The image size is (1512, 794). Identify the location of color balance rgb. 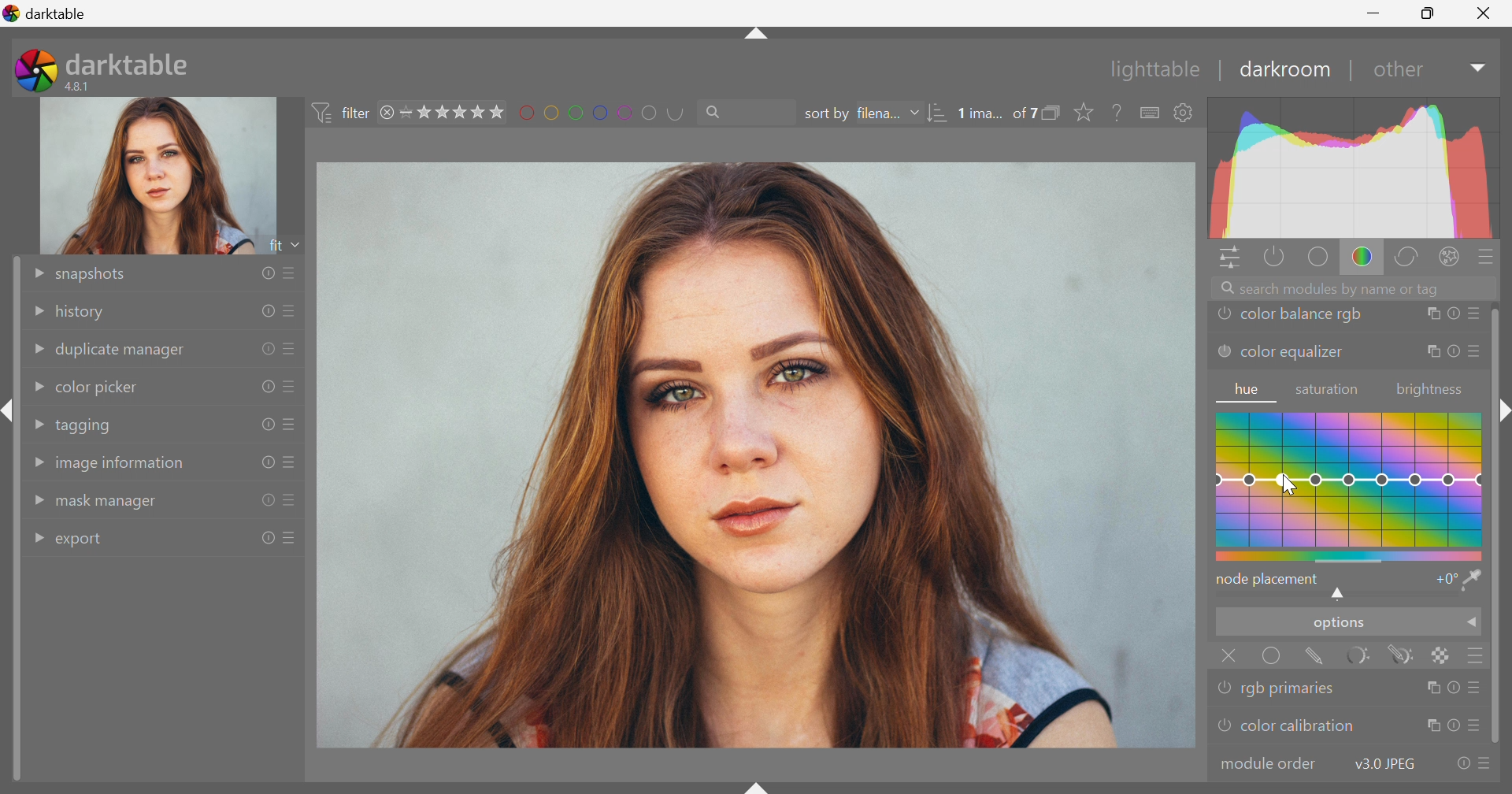
(1303, 315).